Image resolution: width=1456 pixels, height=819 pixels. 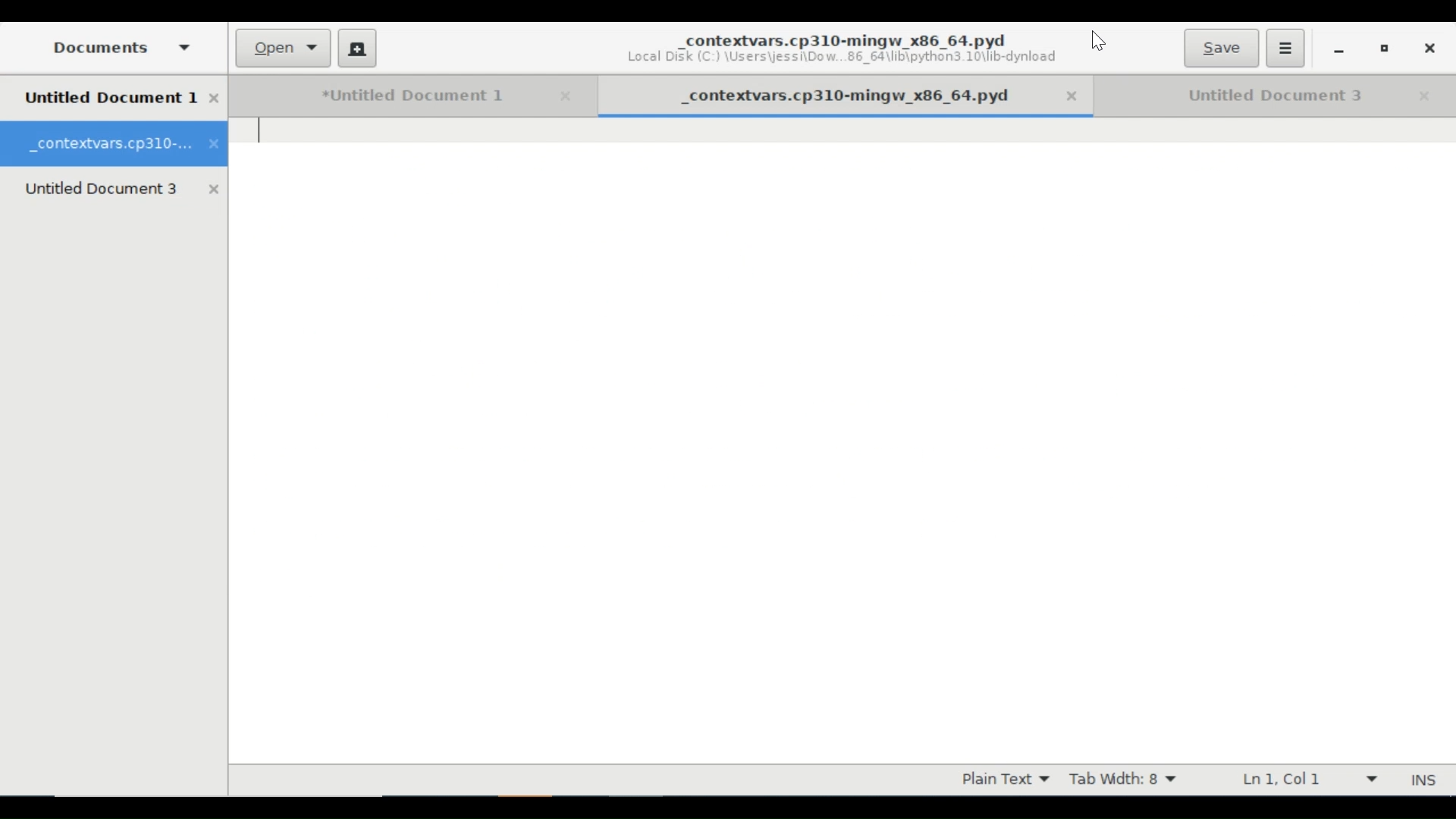 What do you see at coordinates (1421, 780) in the screenshot?
I see `Insert` at bounding box center [1421, 780].